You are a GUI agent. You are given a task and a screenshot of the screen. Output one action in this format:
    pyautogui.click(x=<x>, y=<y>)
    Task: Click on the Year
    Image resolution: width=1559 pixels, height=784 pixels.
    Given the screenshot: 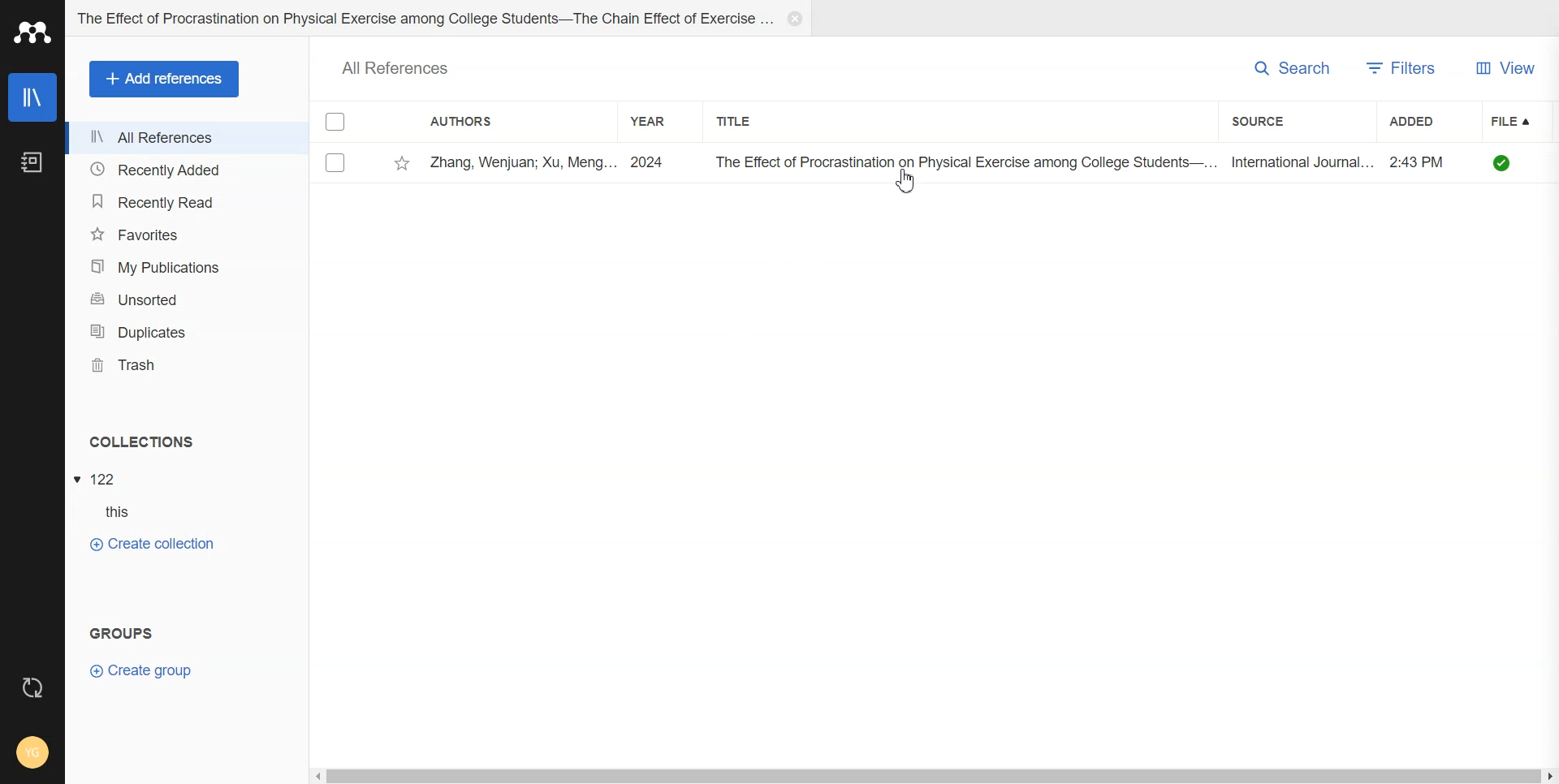 What is the action you would take?
    pyautogui.click(x=660, y=120)
    